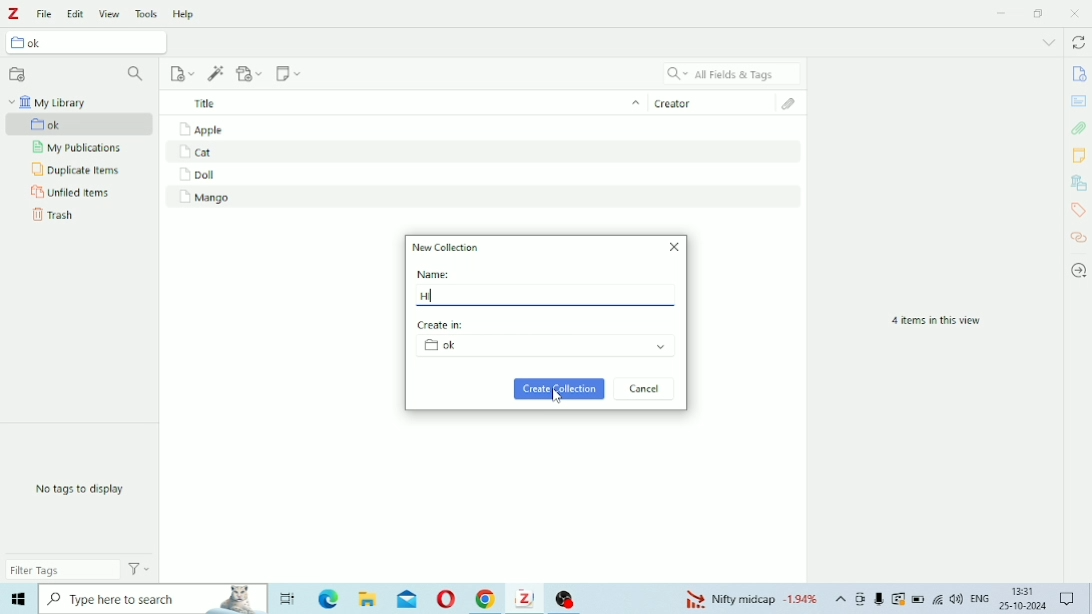 This screenshot has height=614, width=1092. Describe the element at coordinates (407, 598) in the screenshot. I see `Mail` at that location.